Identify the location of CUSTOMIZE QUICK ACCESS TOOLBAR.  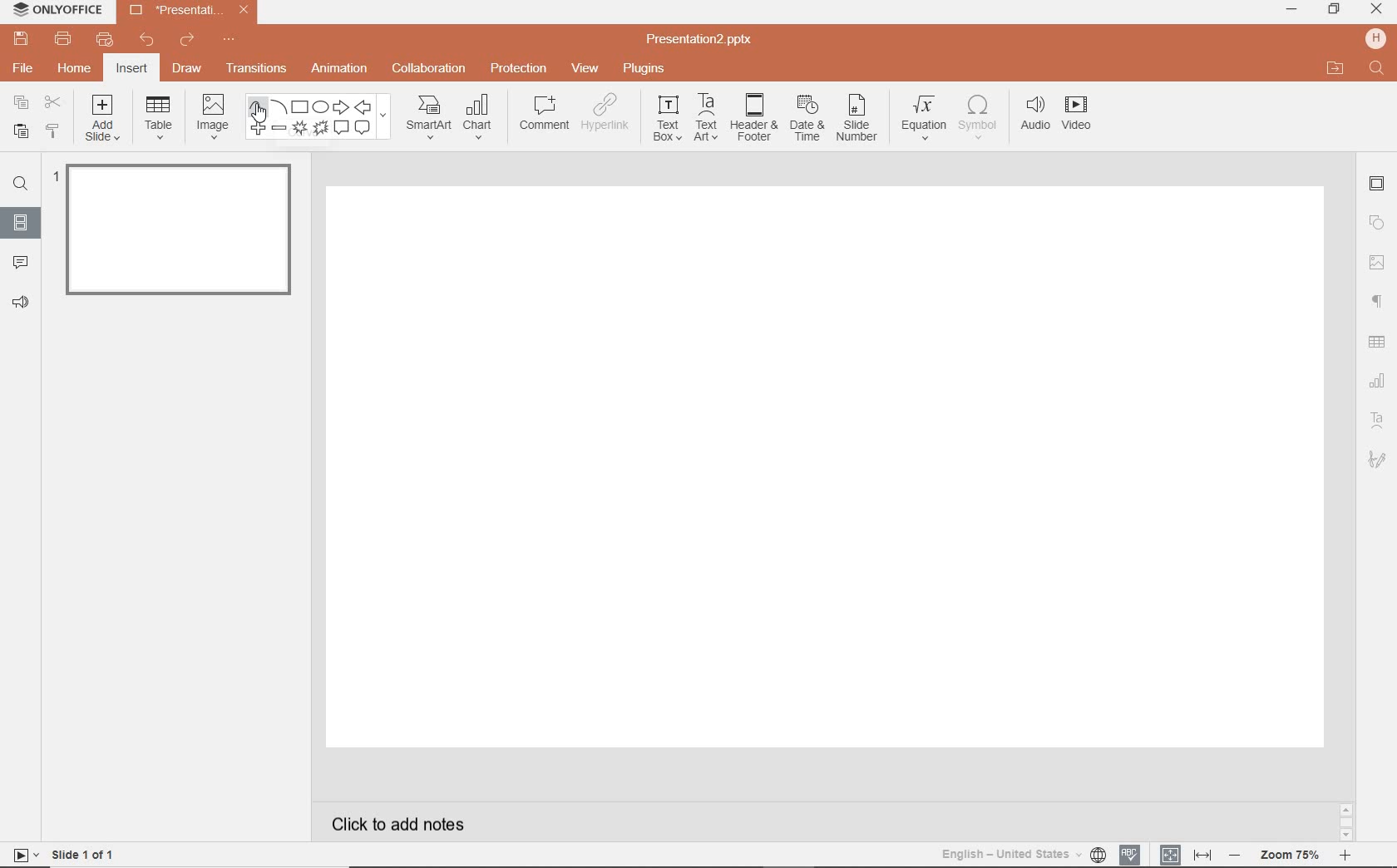
(229, 42).